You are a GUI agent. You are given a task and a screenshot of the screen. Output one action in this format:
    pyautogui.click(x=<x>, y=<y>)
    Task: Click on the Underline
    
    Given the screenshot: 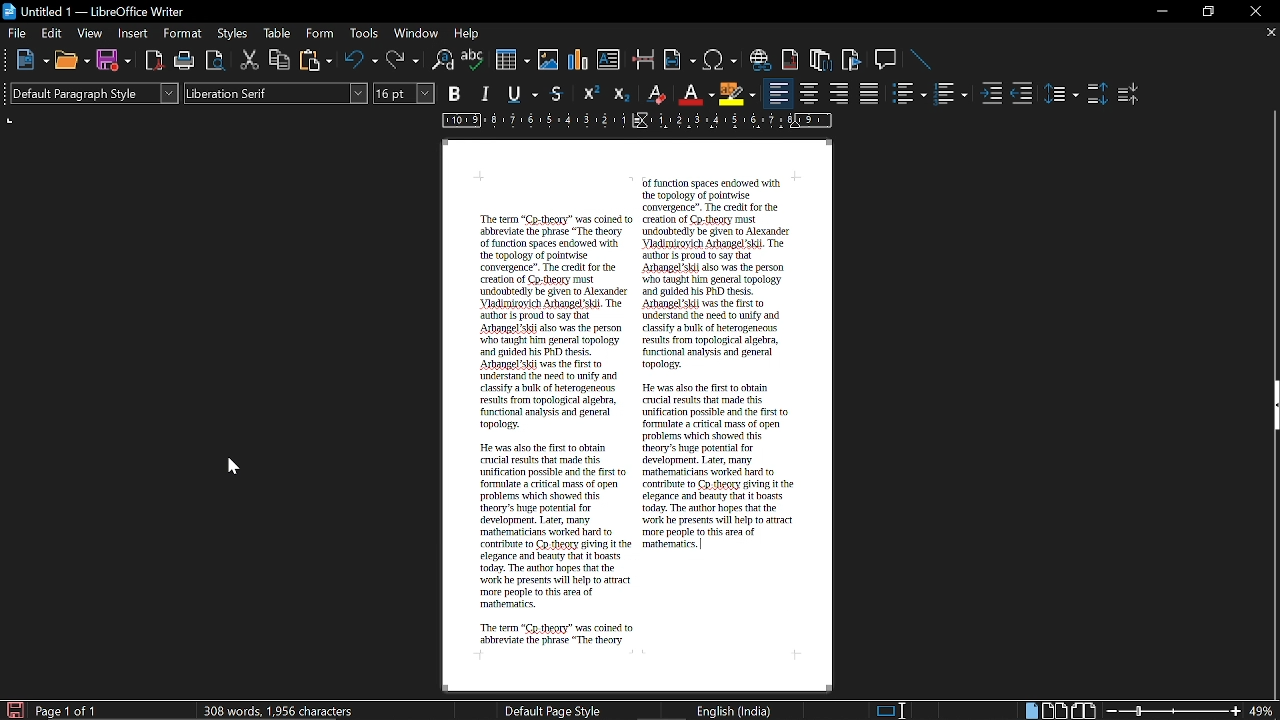 What is the action you would take?
    pyautogui.click(x=524, y=95)
    